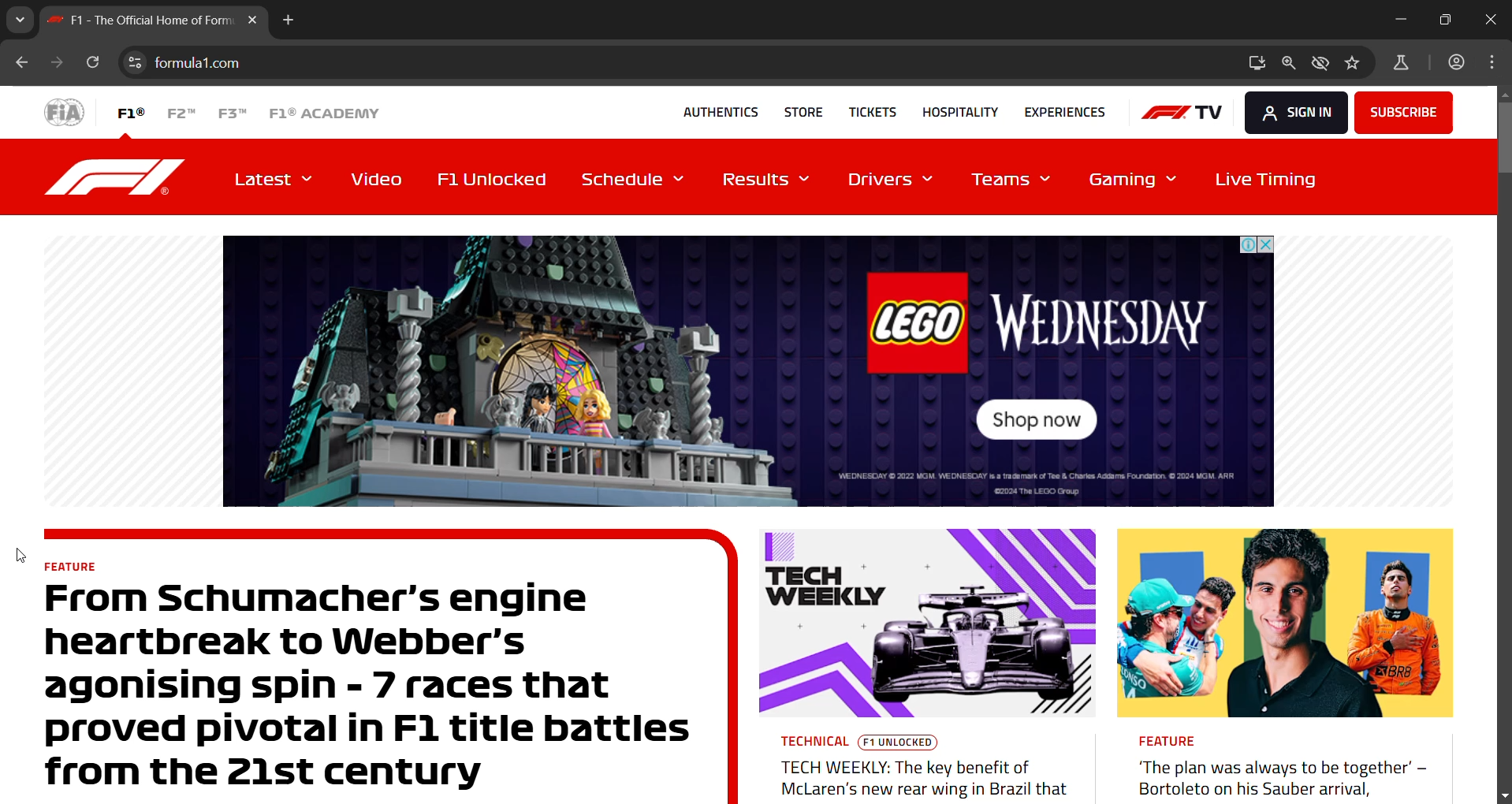  What do you see at coordinates (54, 65) in the screenshot?
I see `click to go forward` at bounding box center [54, 65].